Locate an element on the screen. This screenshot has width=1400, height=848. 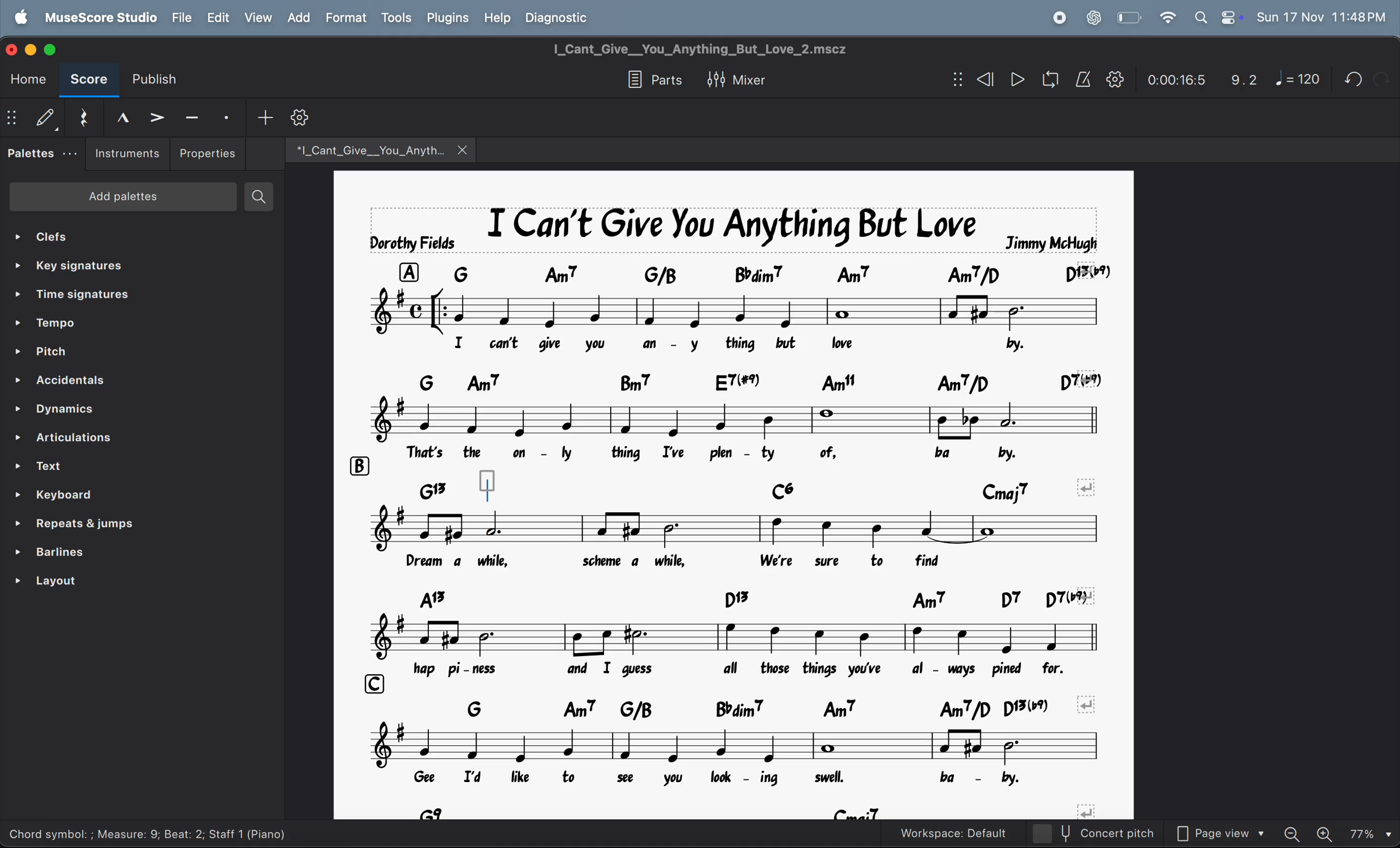
minimize is located at coordinates (29, 49).